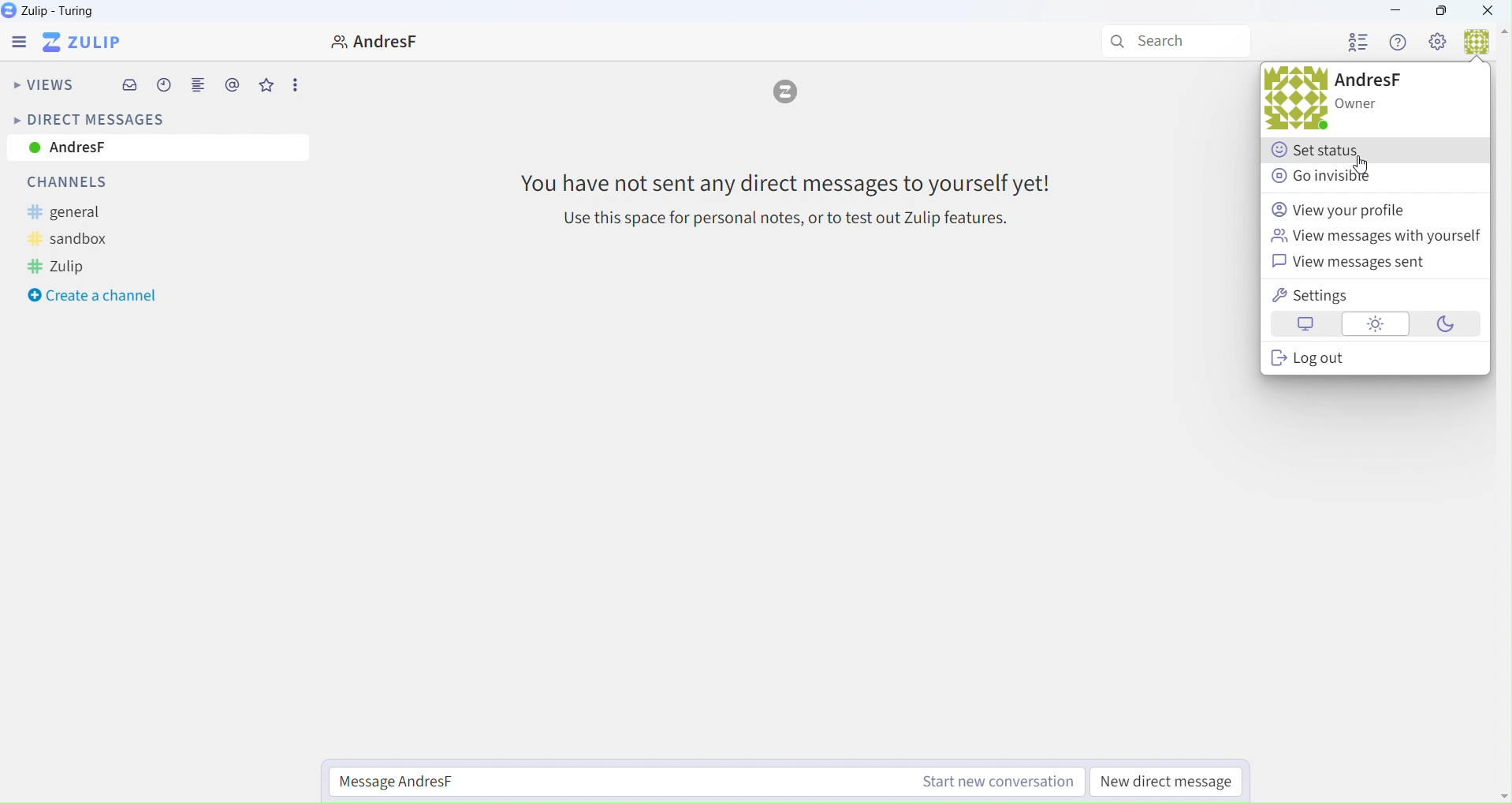  What do you see at coordinates (709, 782) in the screenshot?
I see `Message AndresF` at bounding box center [709, 782].